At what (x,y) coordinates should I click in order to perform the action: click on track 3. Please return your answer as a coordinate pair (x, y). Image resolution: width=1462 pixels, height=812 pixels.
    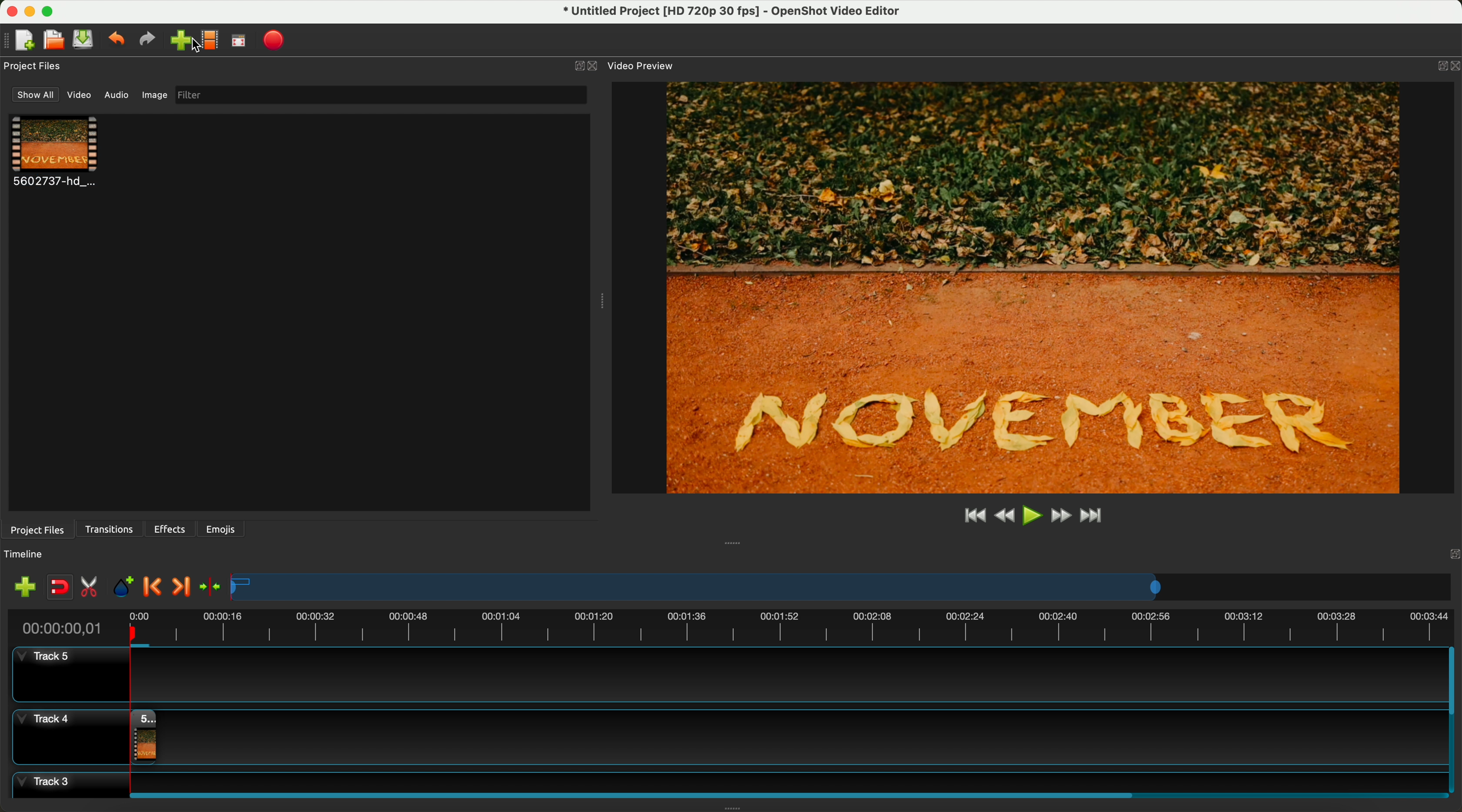
    Looking at the image, I should click on (726, 780).